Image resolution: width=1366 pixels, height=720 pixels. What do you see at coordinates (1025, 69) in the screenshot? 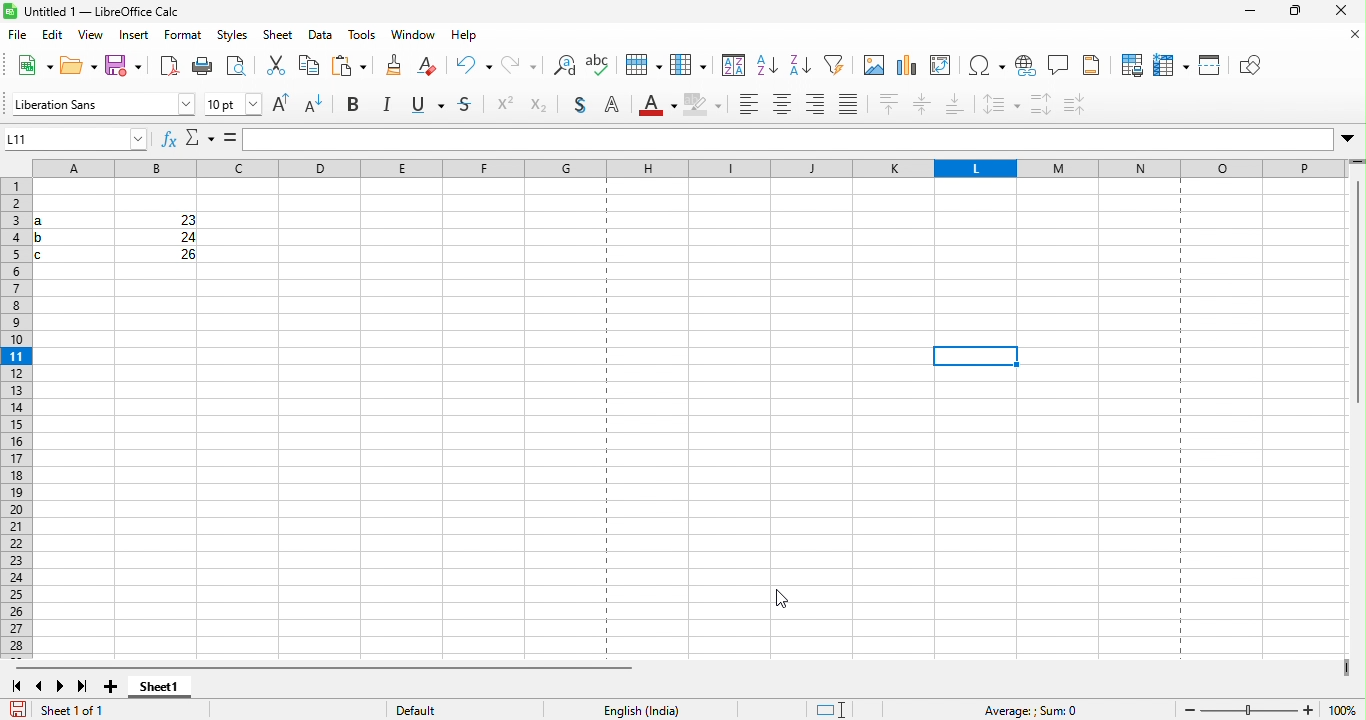
I see `hyperlink` at bounding box center [1025, 69].